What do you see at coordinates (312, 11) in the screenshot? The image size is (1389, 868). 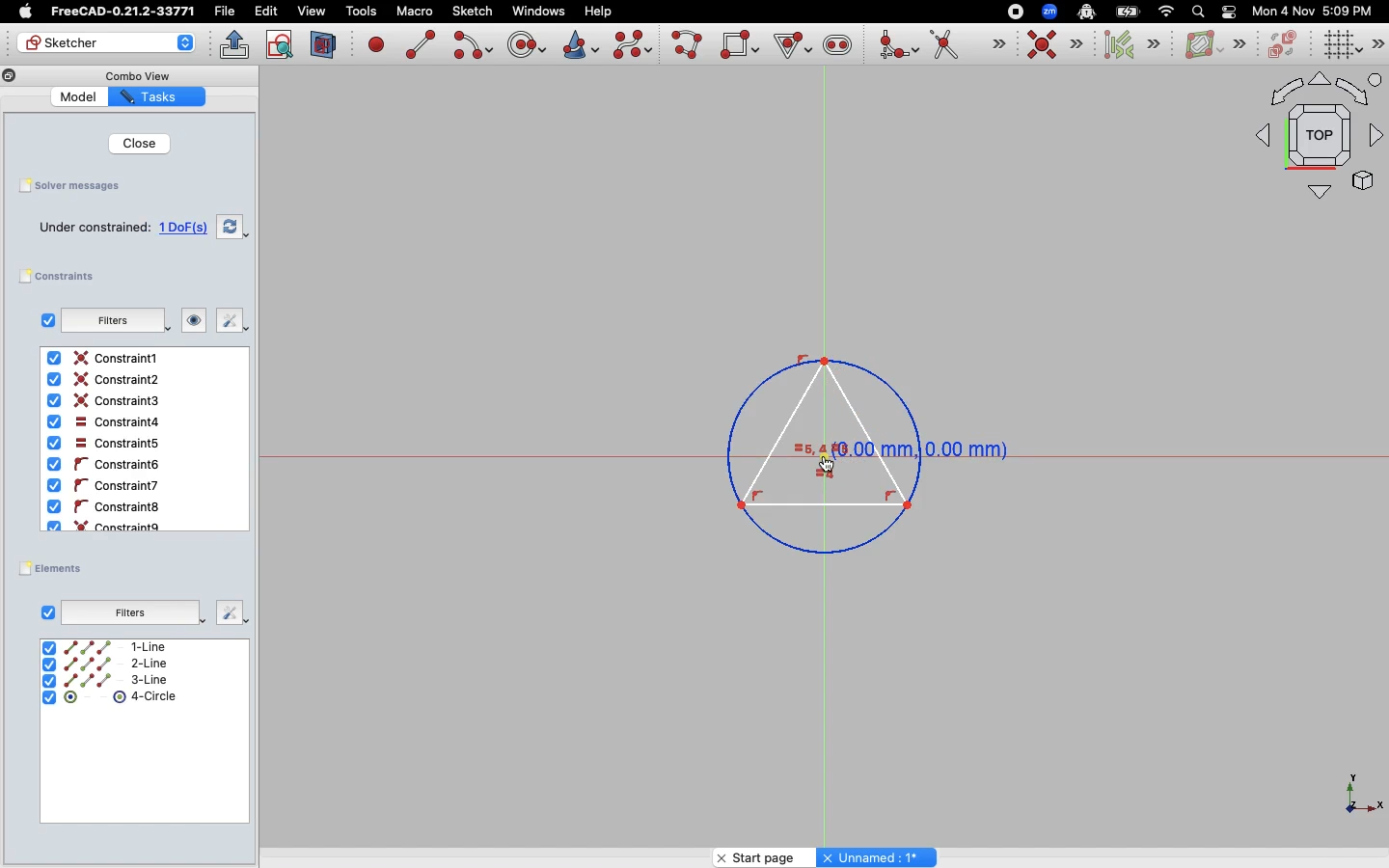 I see `view` at bounding box center [312, 11].